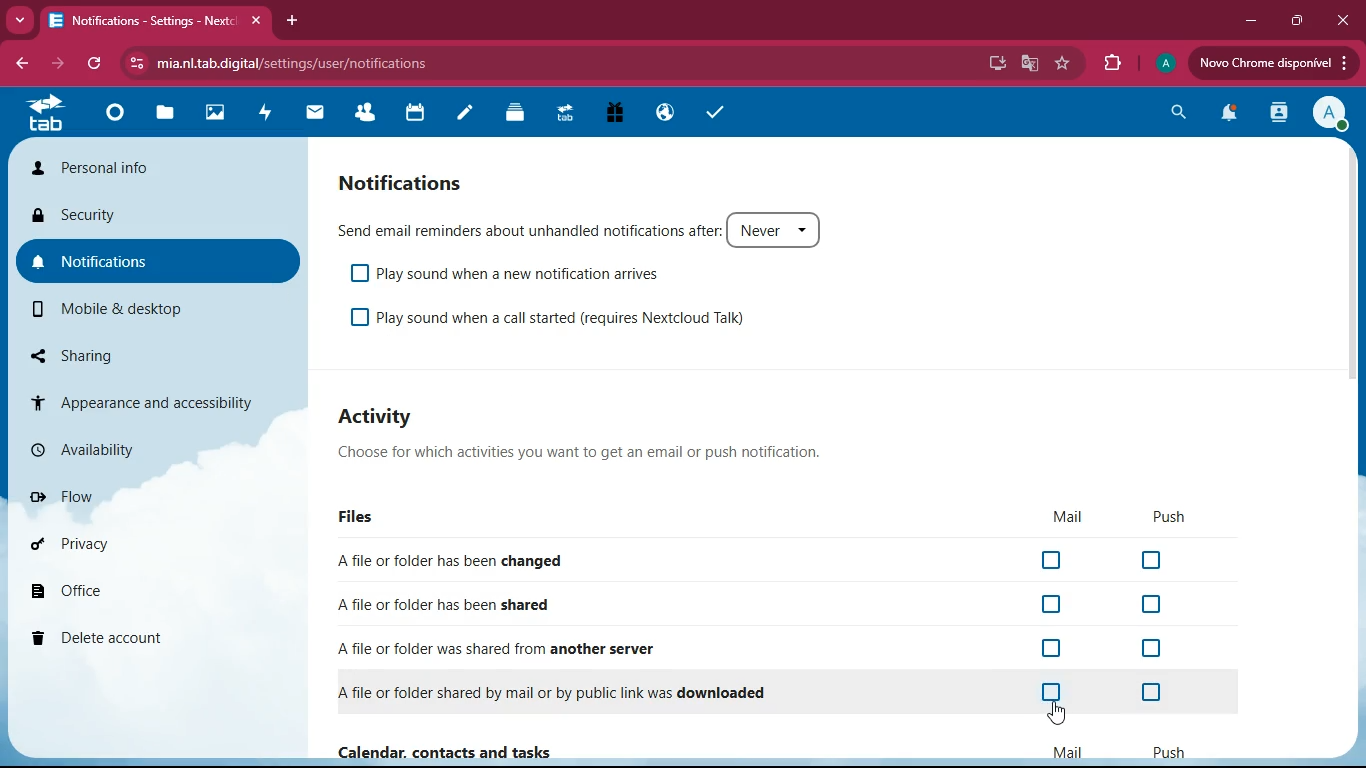  I want to click on description, so click(600, 454).